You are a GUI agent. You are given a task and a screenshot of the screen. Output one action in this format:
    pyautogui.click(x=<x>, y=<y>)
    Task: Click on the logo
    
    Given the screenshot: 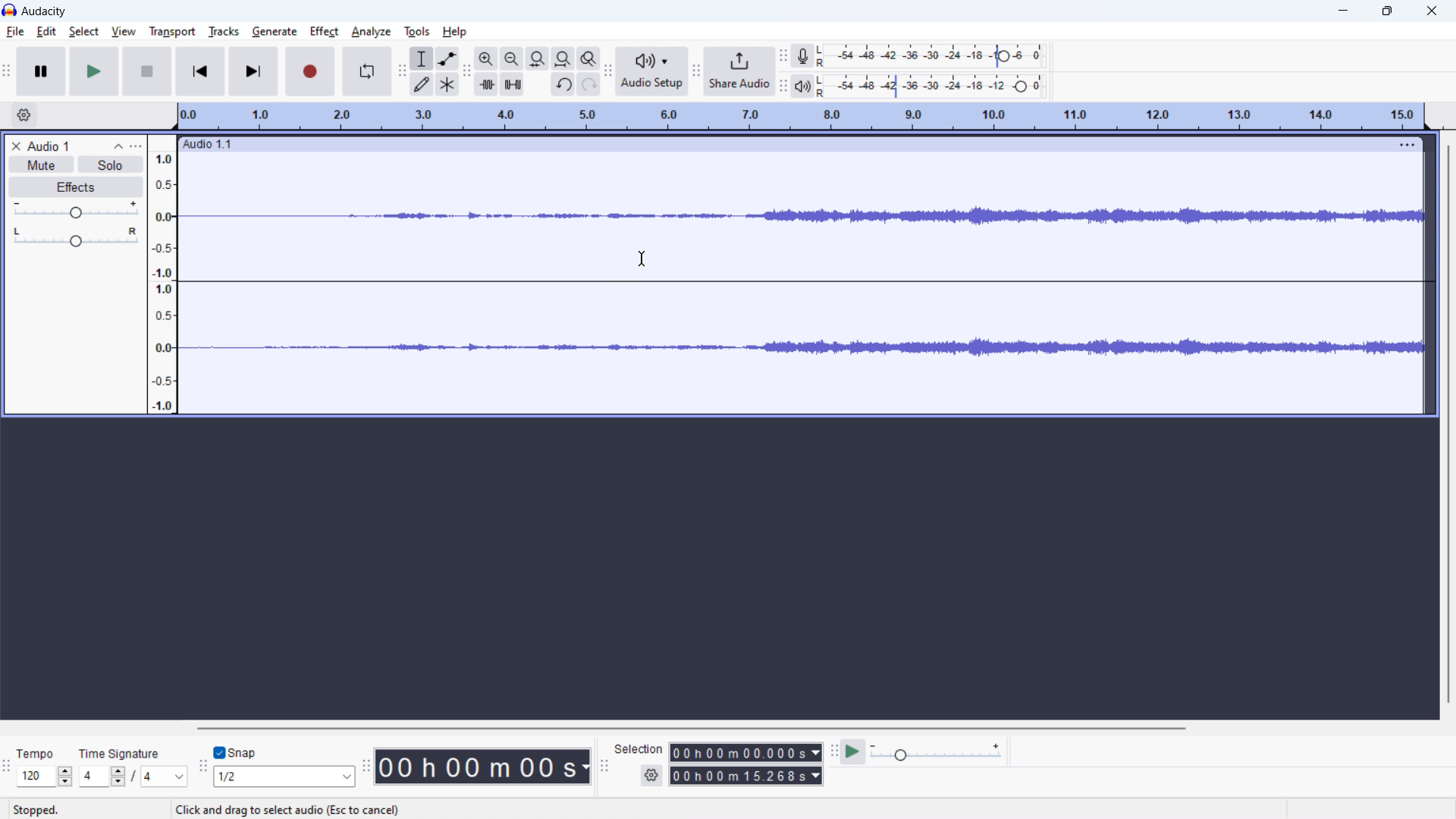 What is the action you would take?
    pyautogui.click(x=10, y=9)
    